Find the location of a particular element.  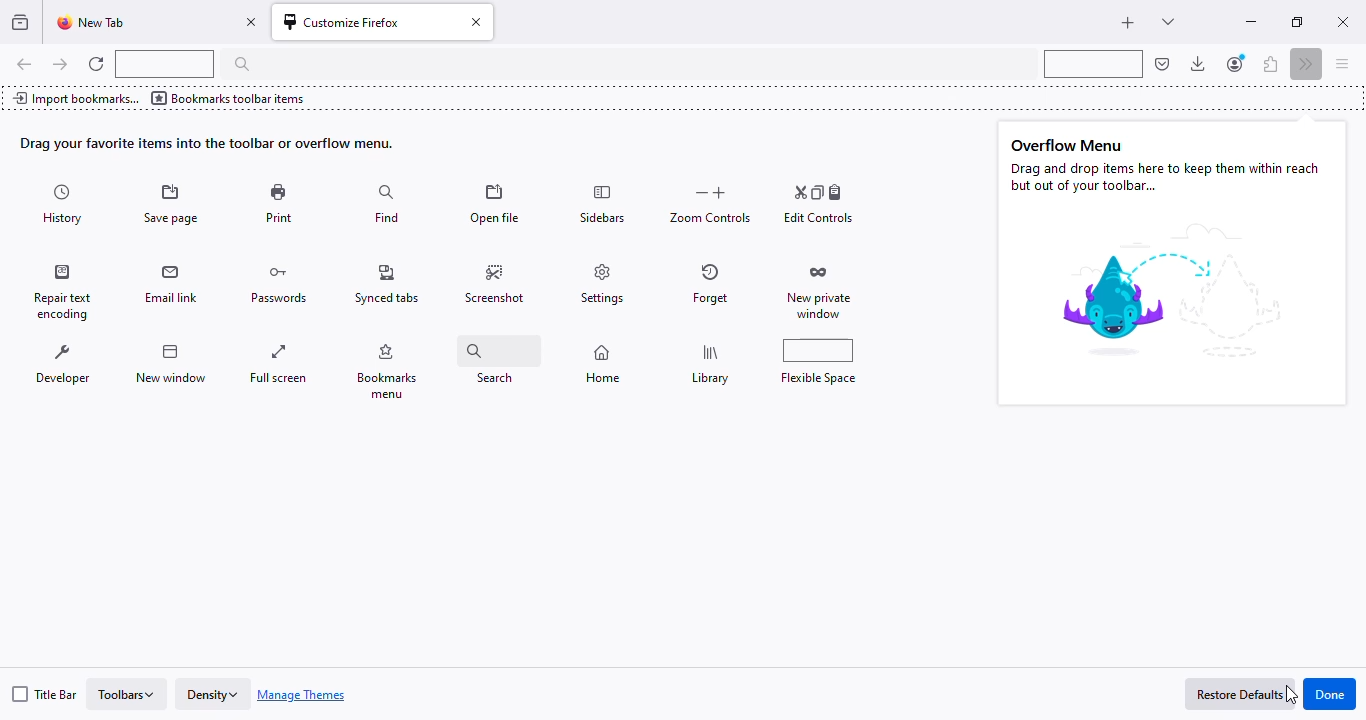

screenshot is located at coordinates (494, 283).